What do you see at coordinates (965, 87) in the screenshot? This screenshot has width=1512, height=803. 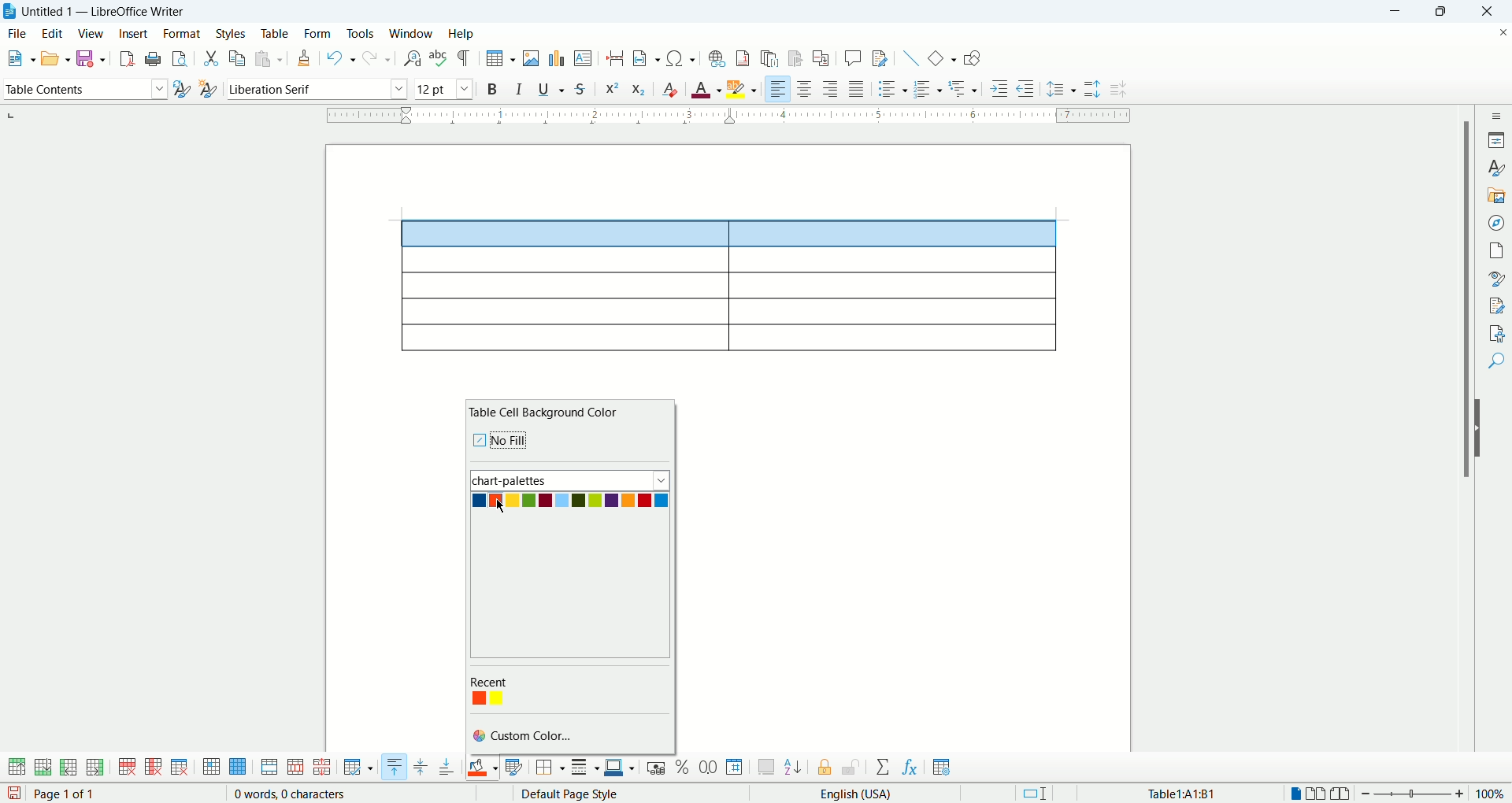 I see `` at bounding box center [965, 87].